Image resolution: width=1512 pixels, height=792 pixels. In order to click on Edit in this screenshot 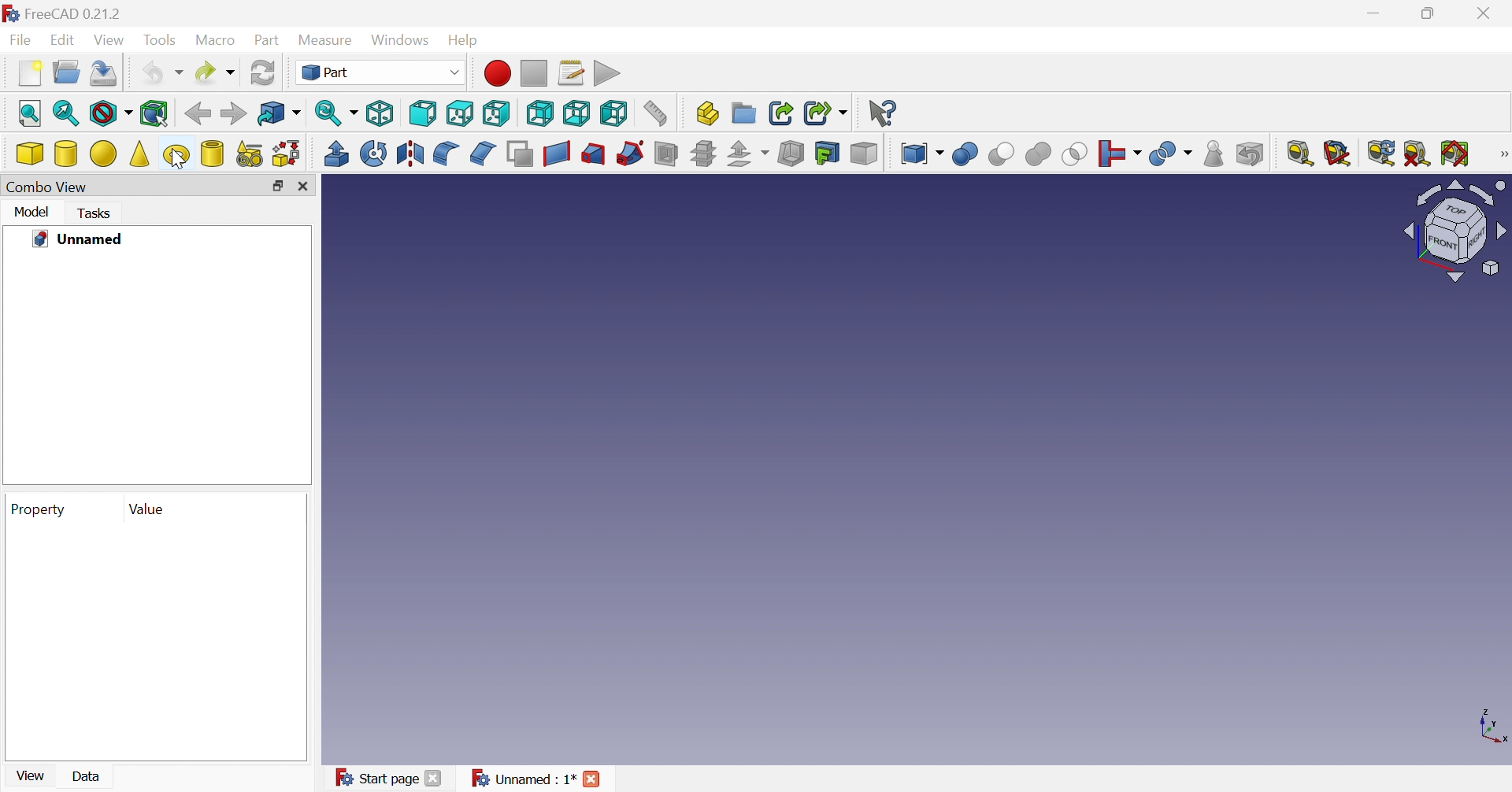, I will do `click(61, 40)`.